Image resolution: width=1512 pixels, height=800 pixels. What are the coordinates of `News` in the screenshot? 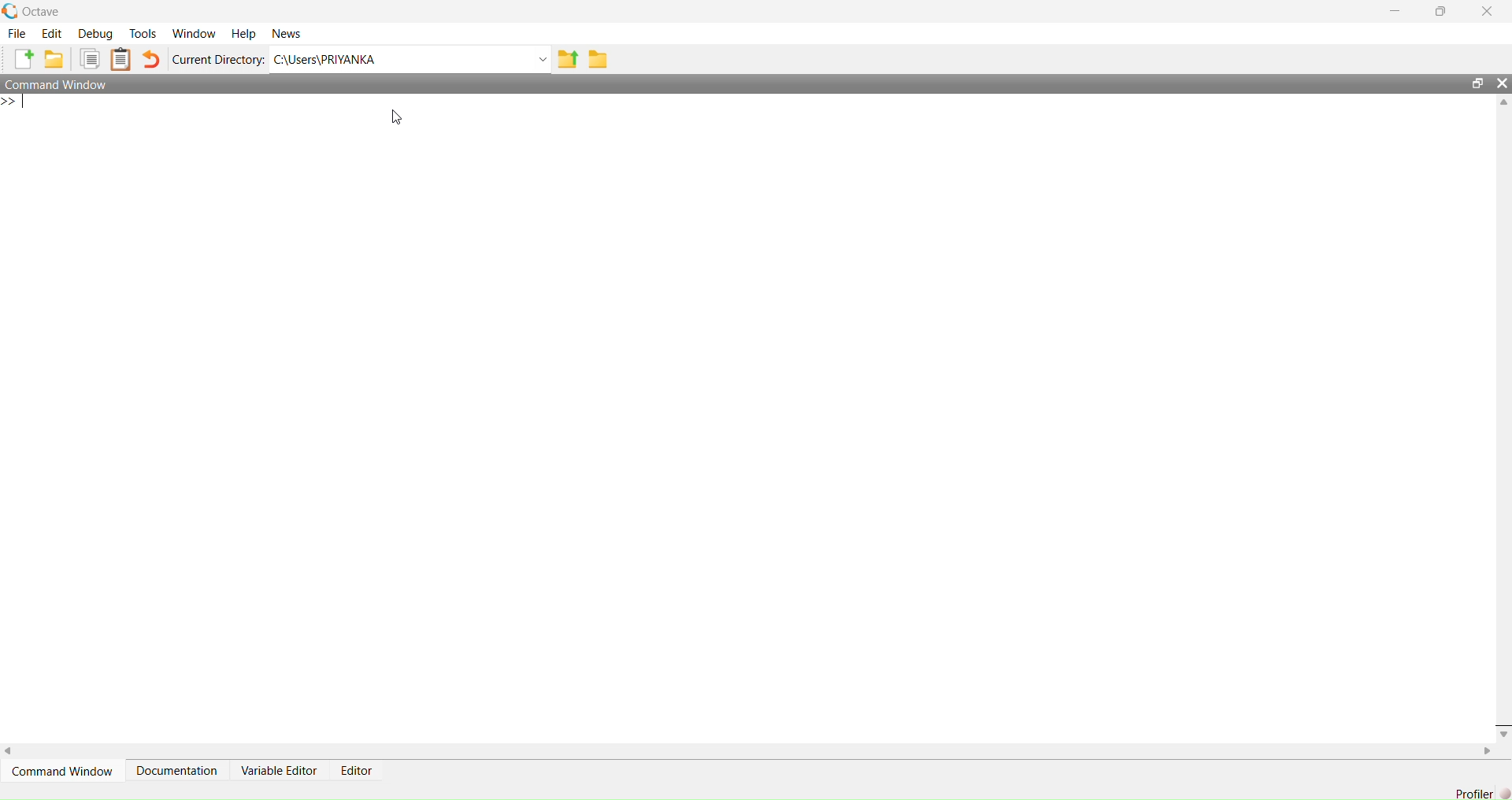 It's located at (290, 35).